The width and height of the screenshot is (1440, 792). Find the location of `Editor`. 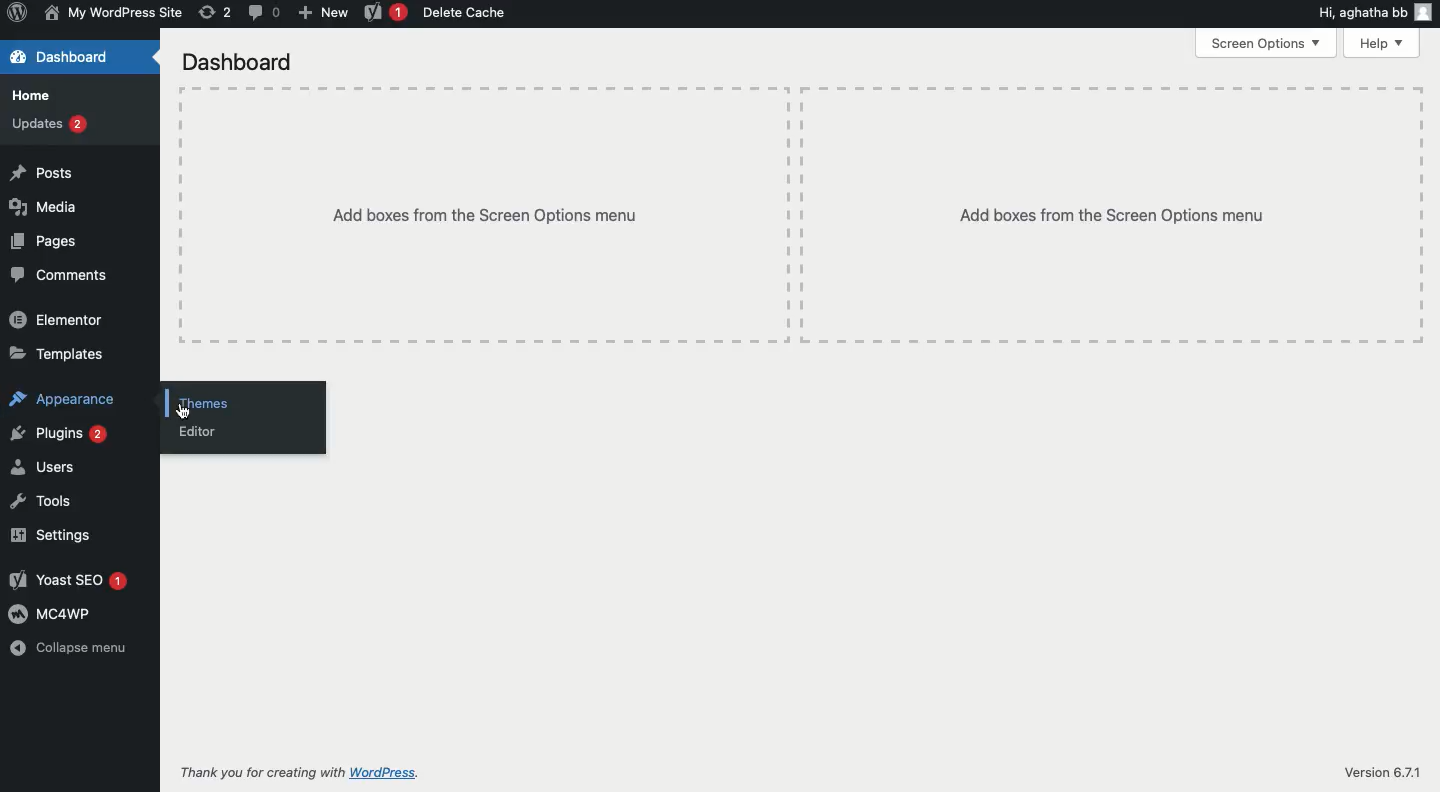

Editor is located at coordinates (197, 431).